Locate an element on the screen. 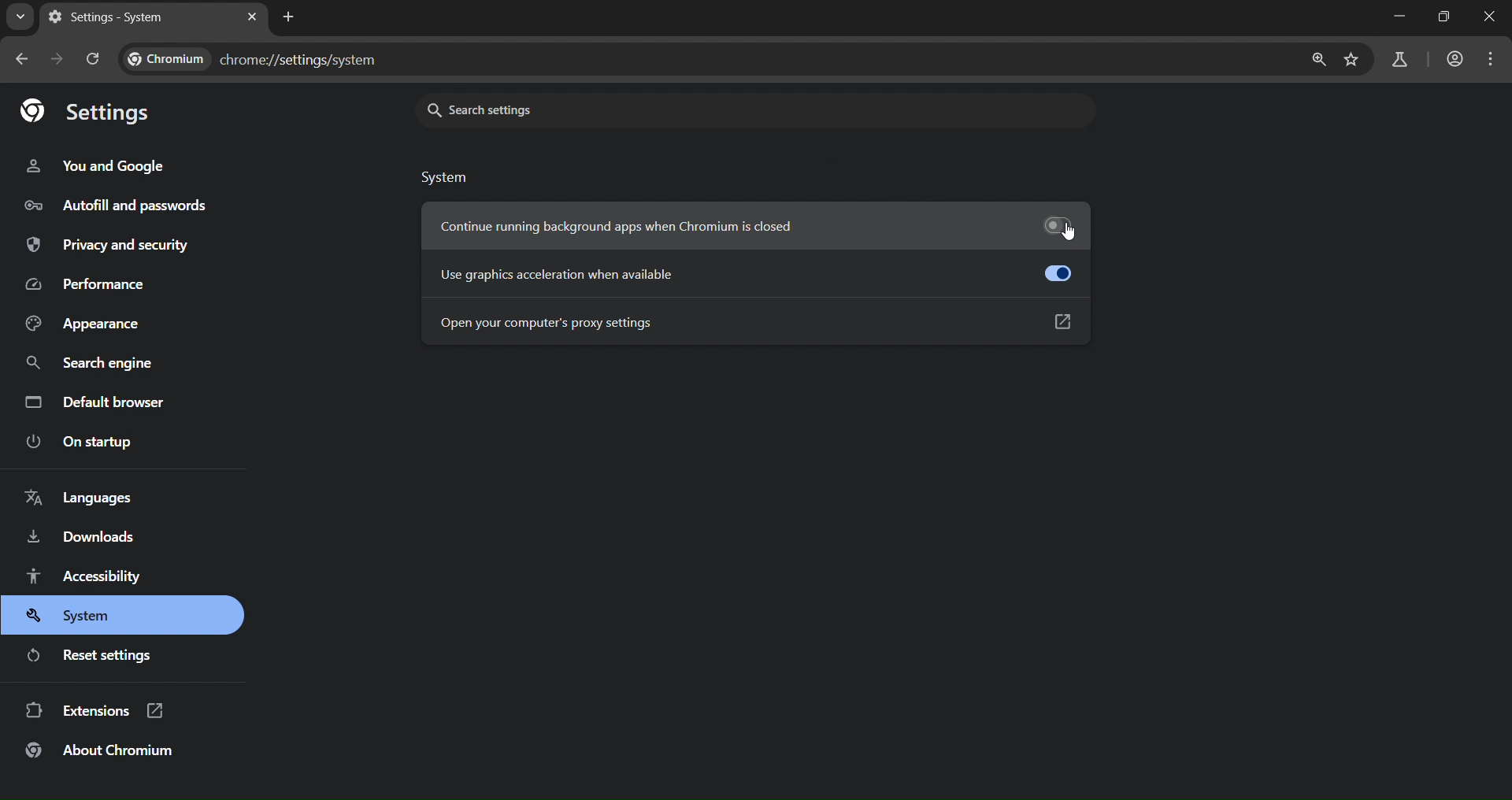 The image size is (1512, 800). settings is located at coordinates (91, 112).